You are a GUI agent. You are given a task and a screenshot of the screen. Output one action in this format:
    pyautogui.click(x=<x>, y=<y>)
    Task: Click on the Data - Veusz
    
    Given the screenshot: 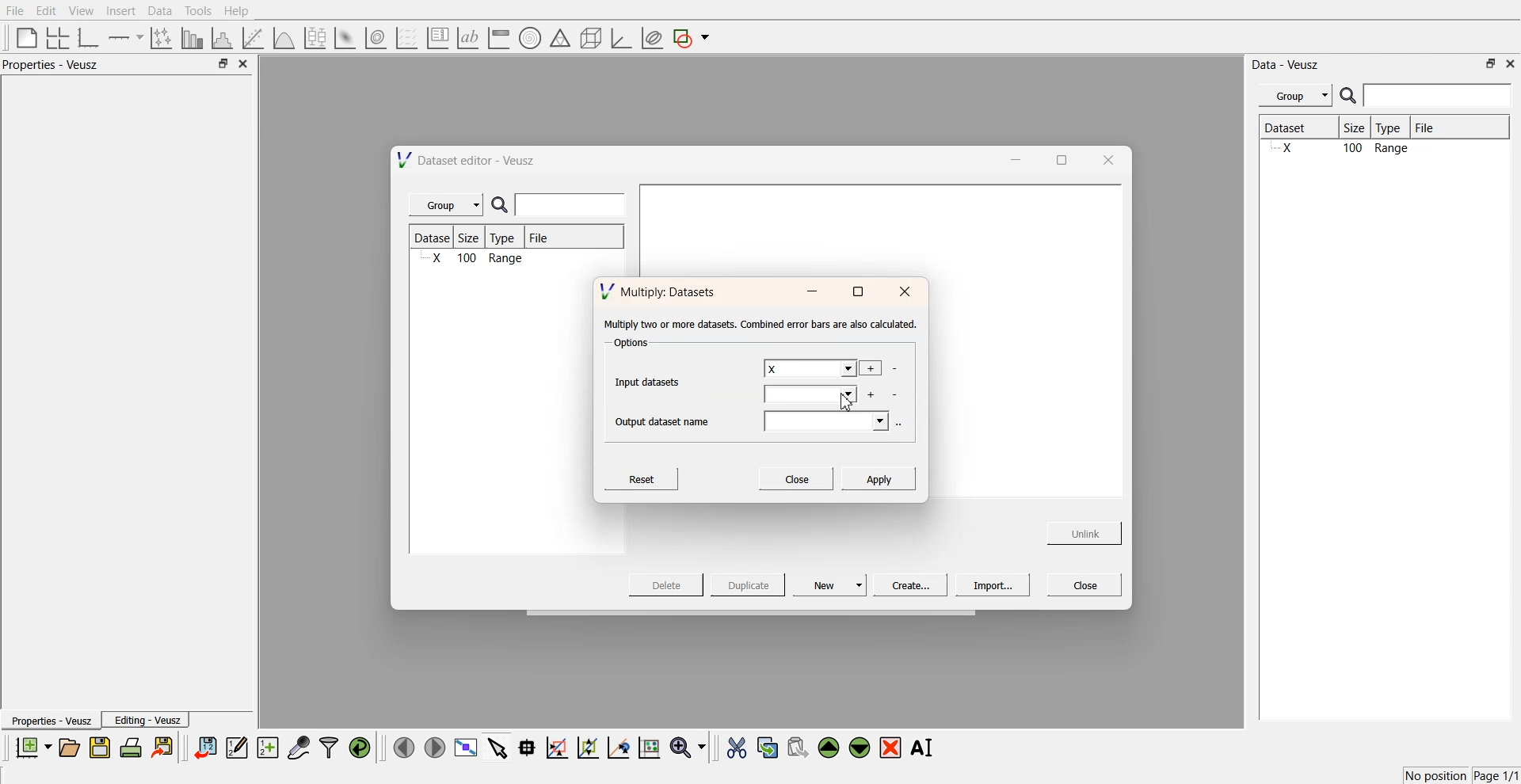 What is the action you would take?
    pyautogui.click(x=1287, y=65)
    